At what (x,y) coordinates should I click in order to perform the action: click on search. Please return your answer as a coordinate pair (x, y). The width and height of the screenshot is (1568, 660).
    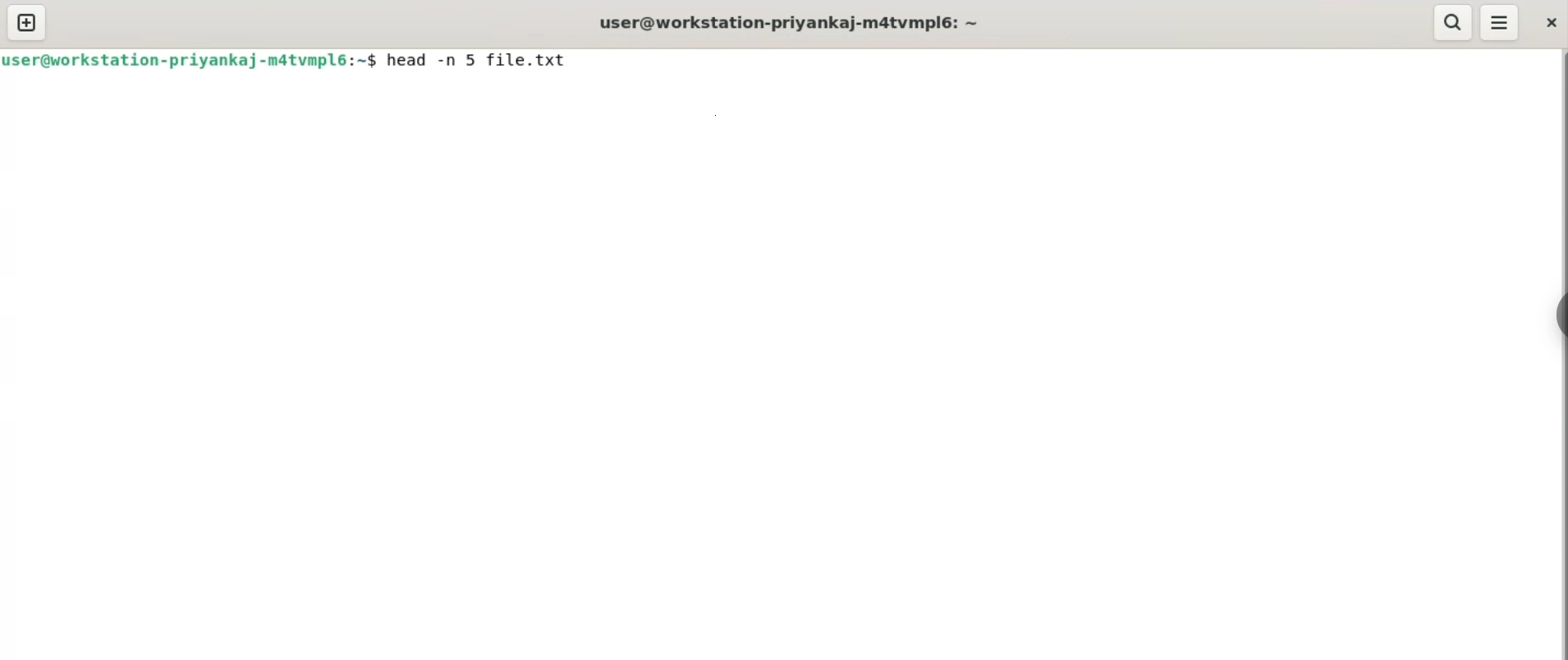
    Looking at the image, I should click on (1455, 21).